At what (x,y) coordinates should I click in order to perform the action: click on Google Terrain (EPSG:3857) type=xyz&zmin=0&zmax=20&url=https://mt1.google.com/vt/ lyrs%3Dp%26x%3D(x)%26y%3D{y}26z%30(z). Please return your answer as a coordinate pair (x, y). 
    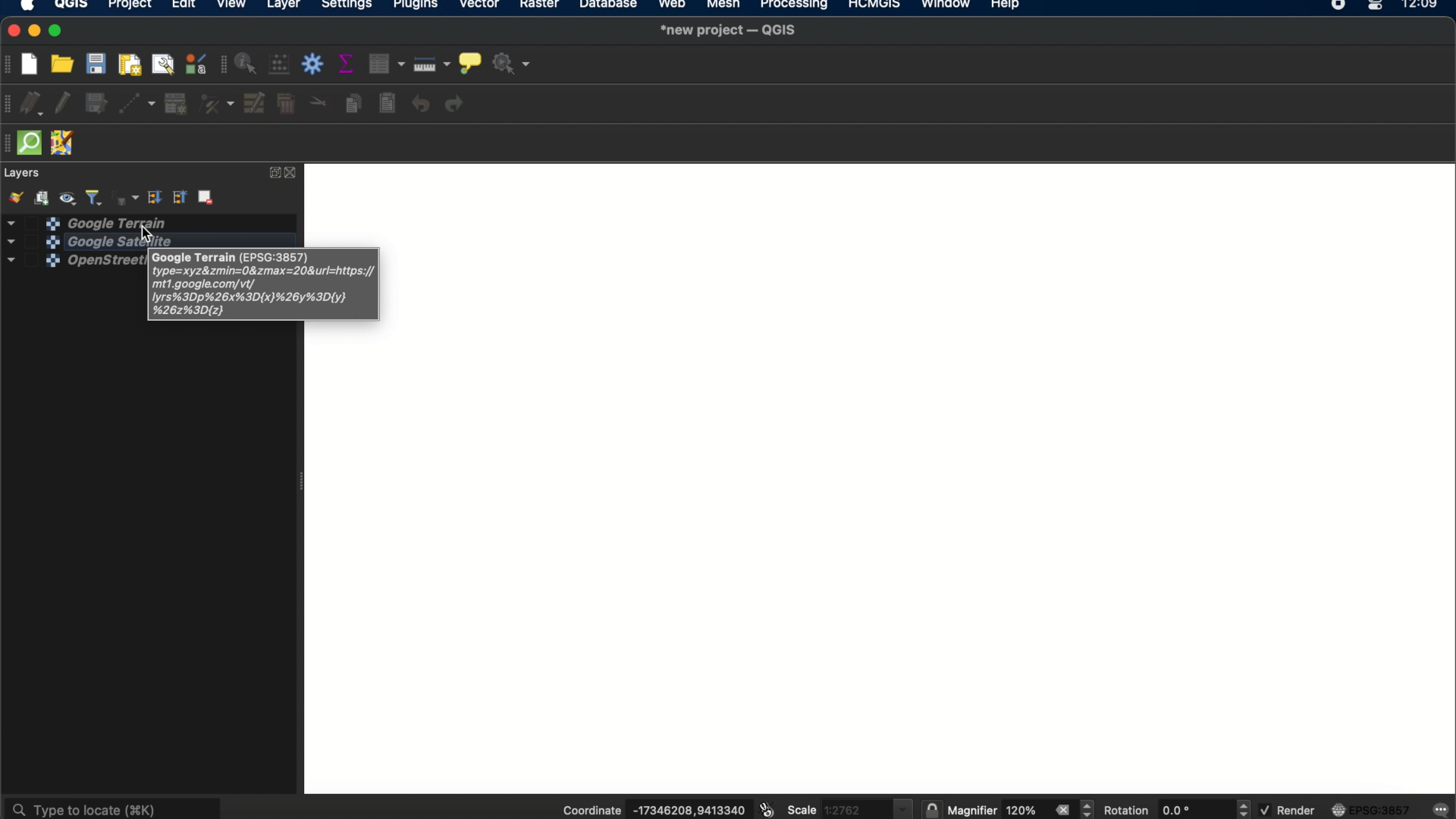
    Looking at the image, I should click on (262, 286).